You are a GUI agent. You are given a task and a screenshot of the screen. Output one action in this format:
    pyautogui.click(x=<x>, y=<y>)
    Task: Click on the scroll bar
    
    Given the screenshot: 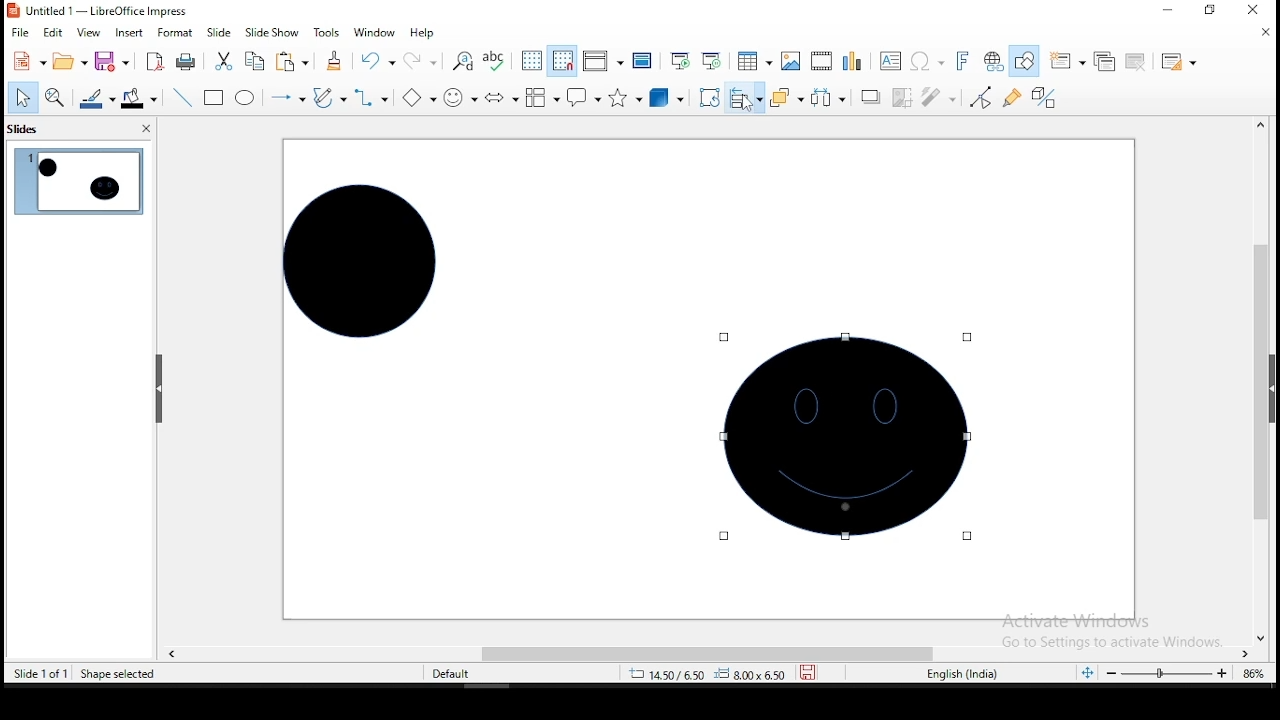 What is the action you would take?
    pyautogui.click(x=1267, y=379)
    